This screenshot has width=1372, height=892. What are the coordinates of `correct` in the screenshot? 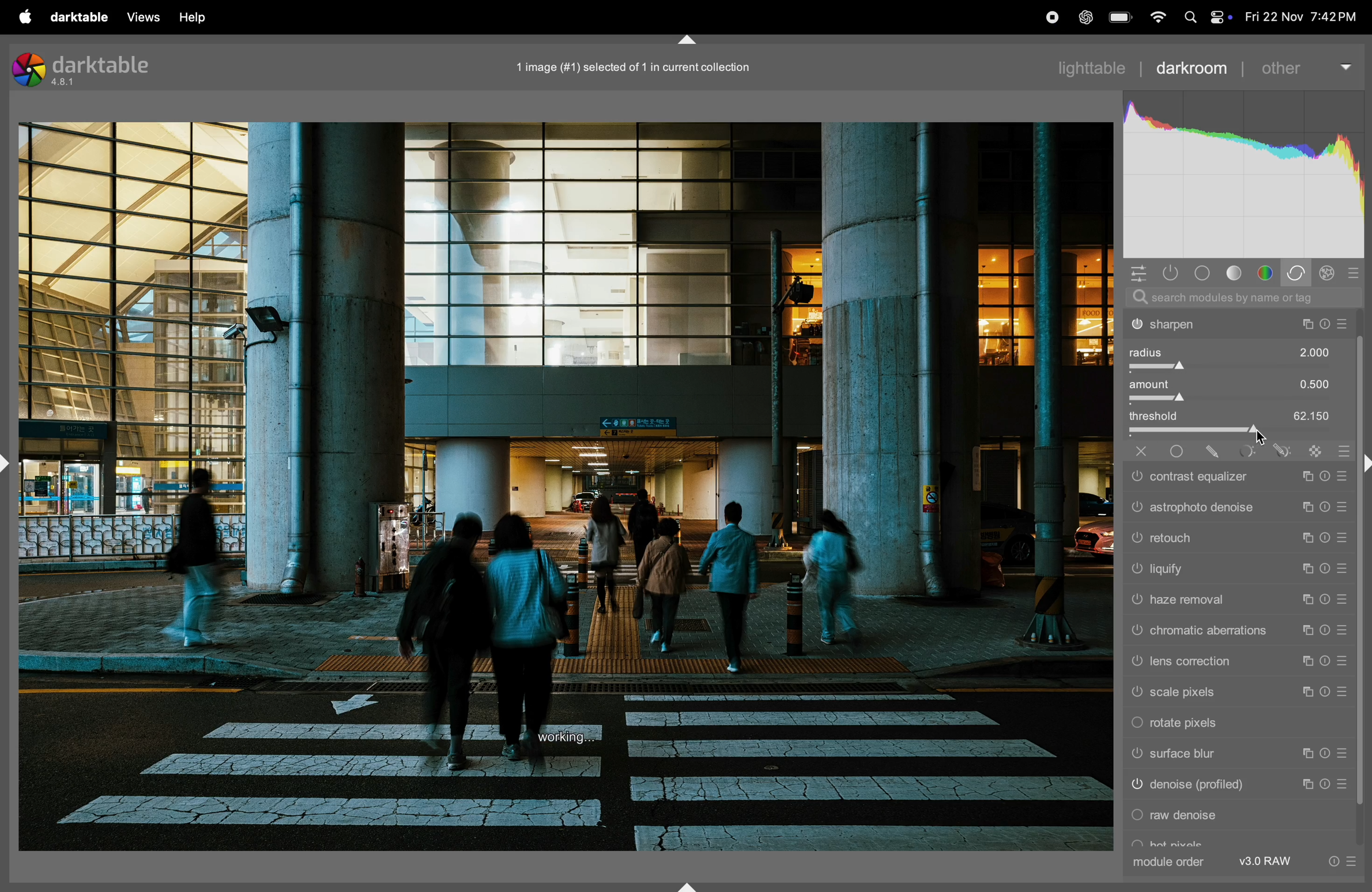 It's located at (1298, 273).